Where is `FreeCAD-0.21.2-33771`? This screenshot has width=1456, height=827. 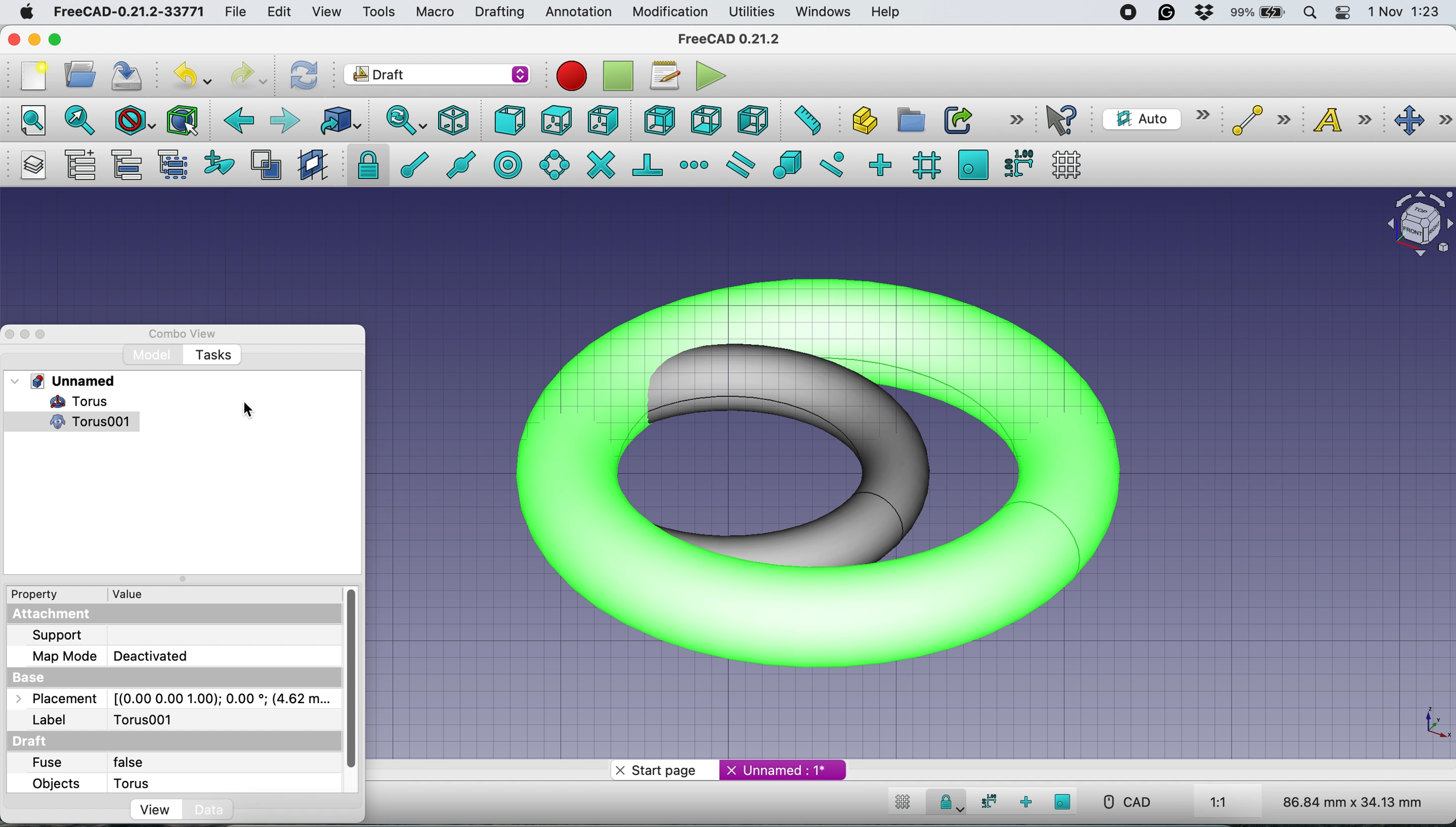
FreeCAD-0.21.2-33771 is located at coordinates (130, 11).